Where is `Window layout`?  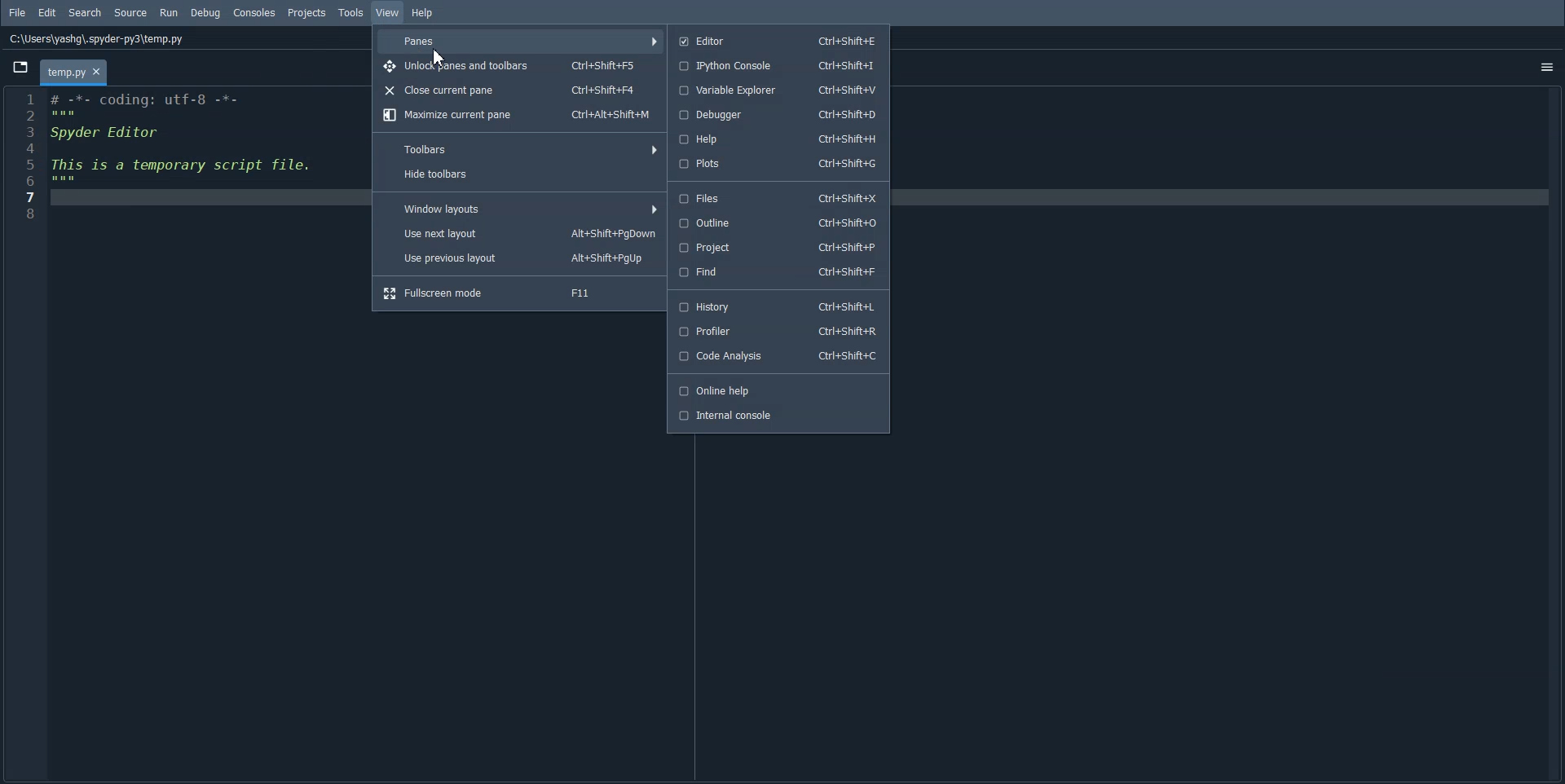
Window layout is located at coordinates (520, 207).